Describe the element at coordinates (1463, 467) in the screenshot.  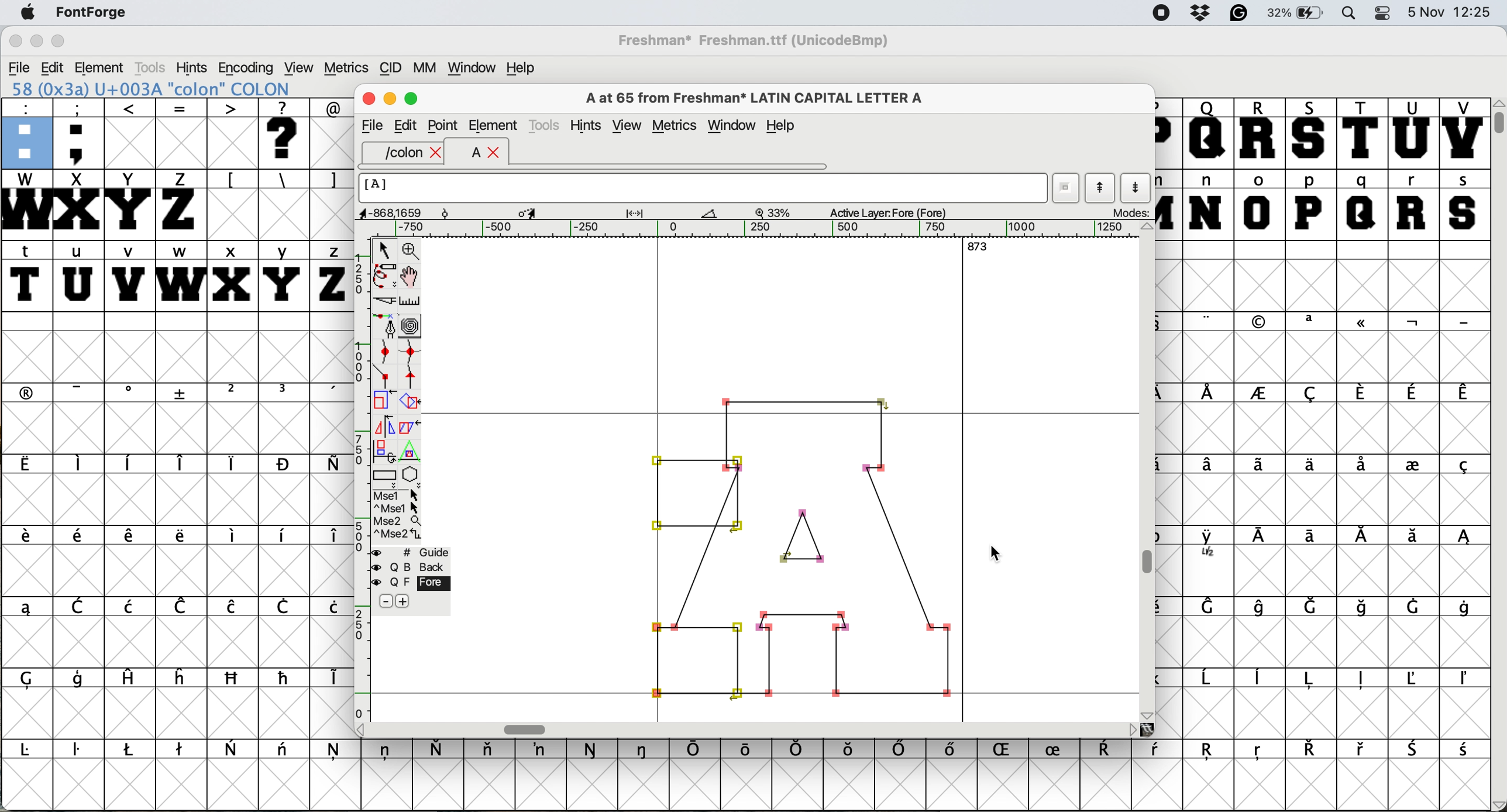
I see `symbol` at that location.